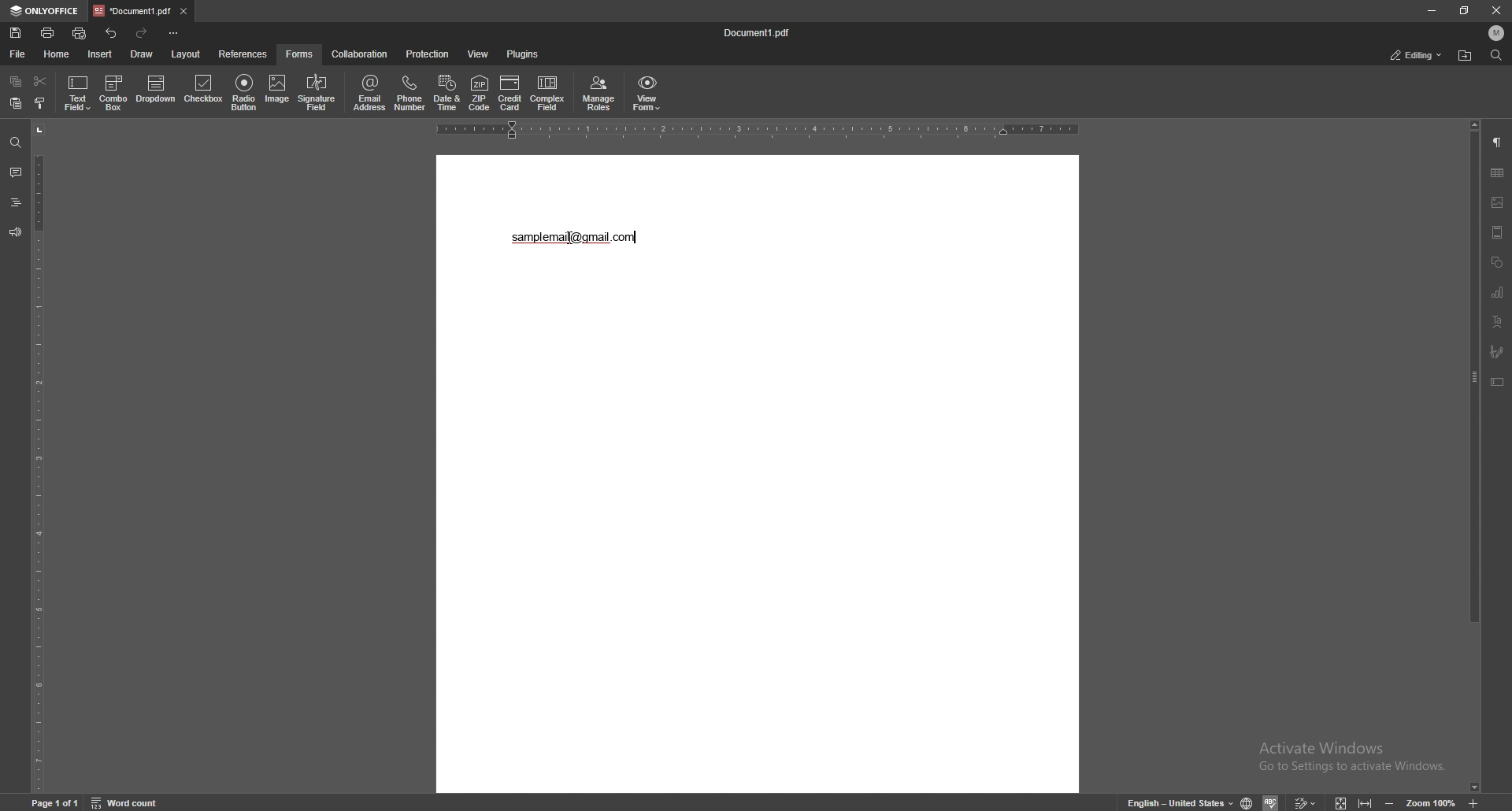 Image resolution: width=1512 pixels, height=811 pixels. I want to click on find, so click(16, 142).